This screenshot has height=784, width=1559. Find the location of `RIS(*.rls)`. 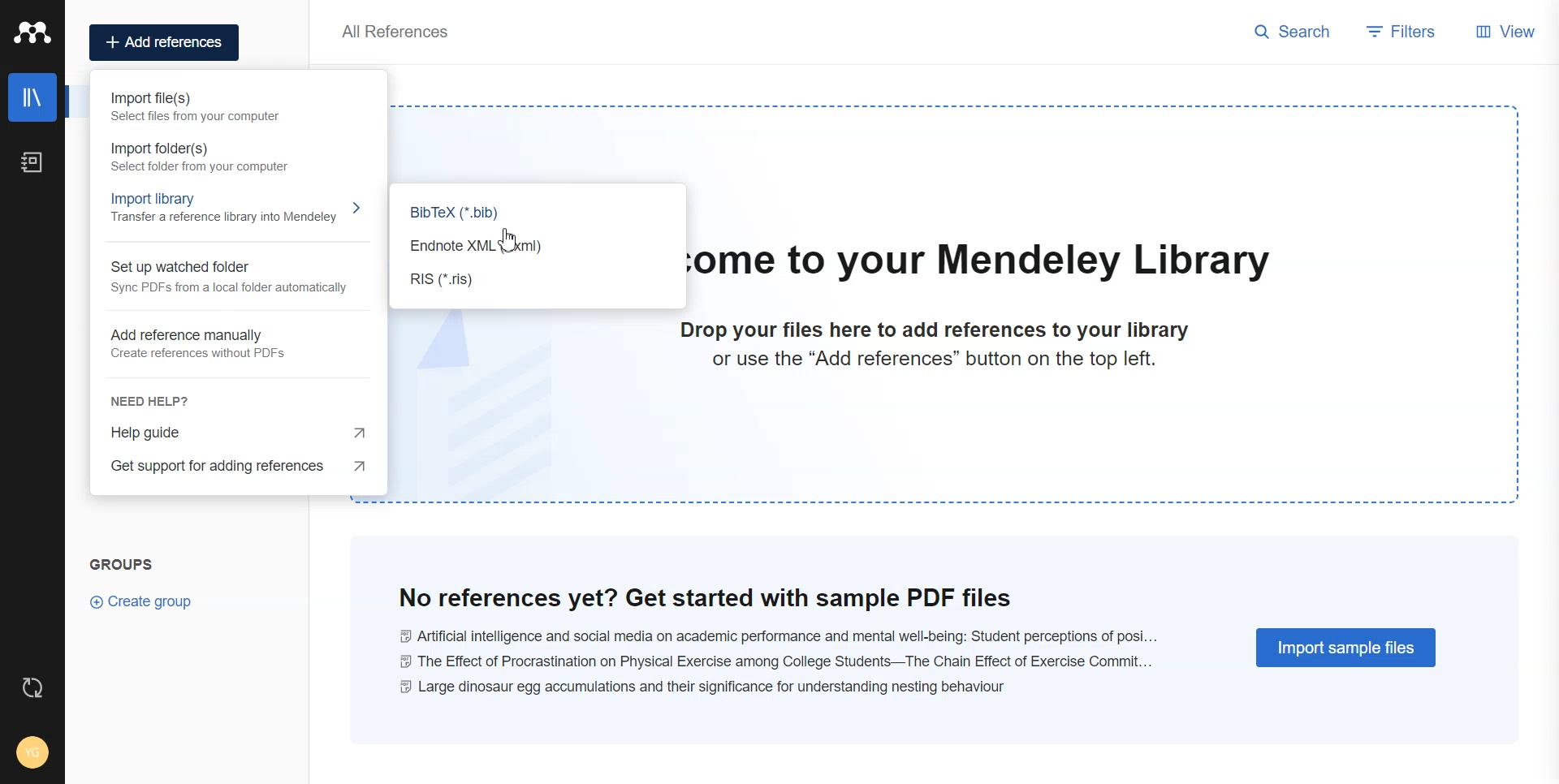

RIS(*.rls) is located at coordinates (522, 282).